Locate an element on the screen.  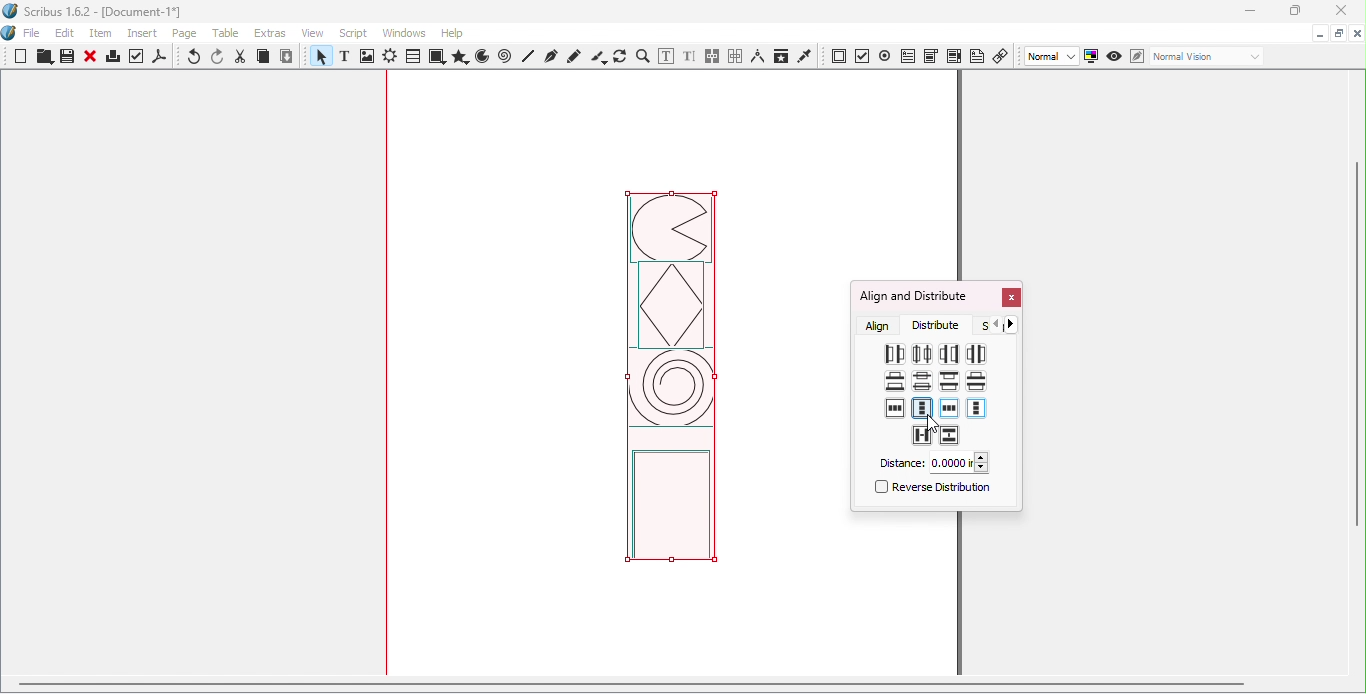
Measurements is located at coordinates (757, 56).